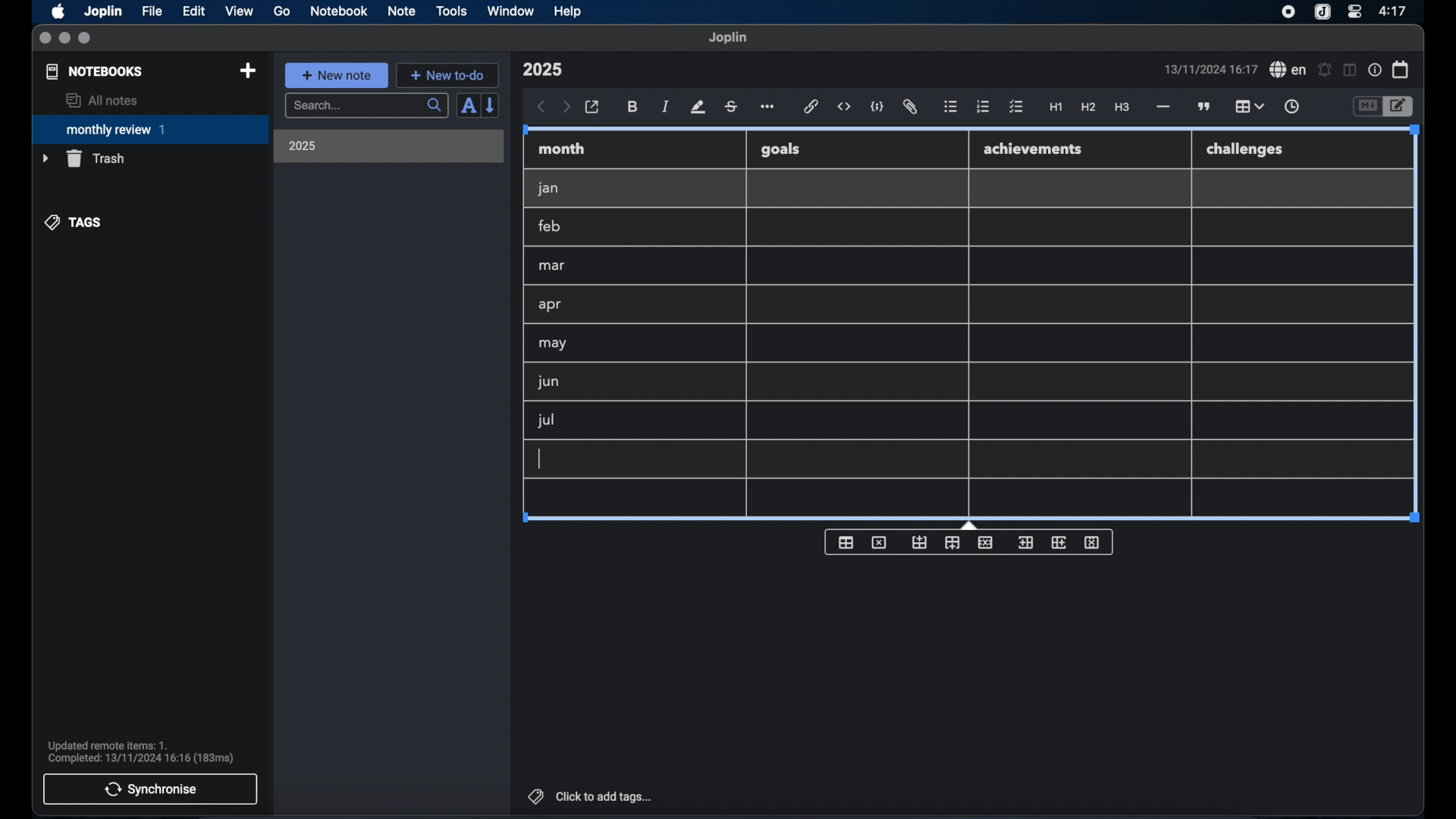 This screenshot has height=819, width=1456. What do you see at coordinates (1351, 70) in the screenshot?
I see `toggle editor layout` at bounding box center [1351, 70].